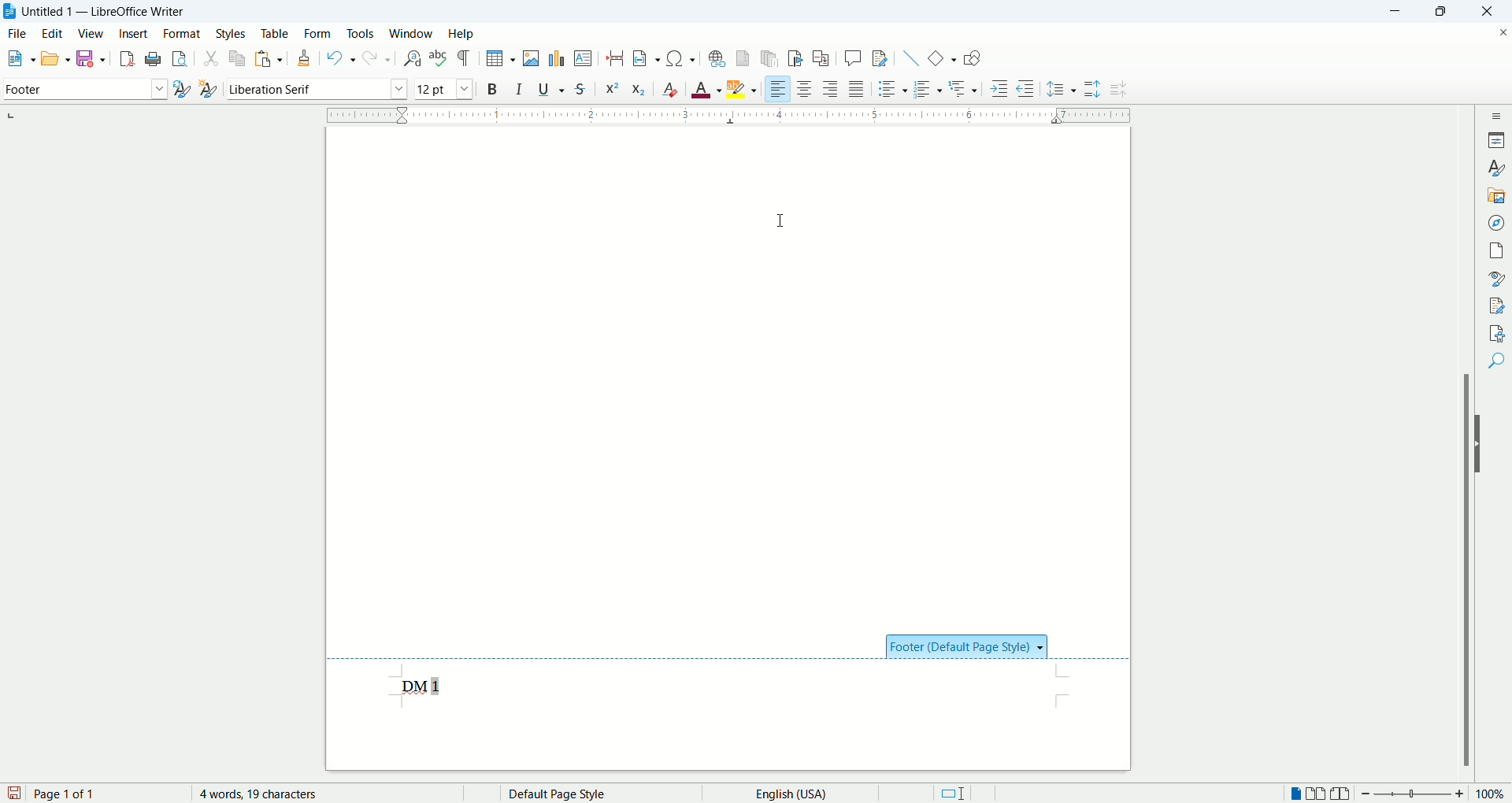 This screenshot has width=1512, height=803. I want to click on zoom percent, so click(1492, 795).